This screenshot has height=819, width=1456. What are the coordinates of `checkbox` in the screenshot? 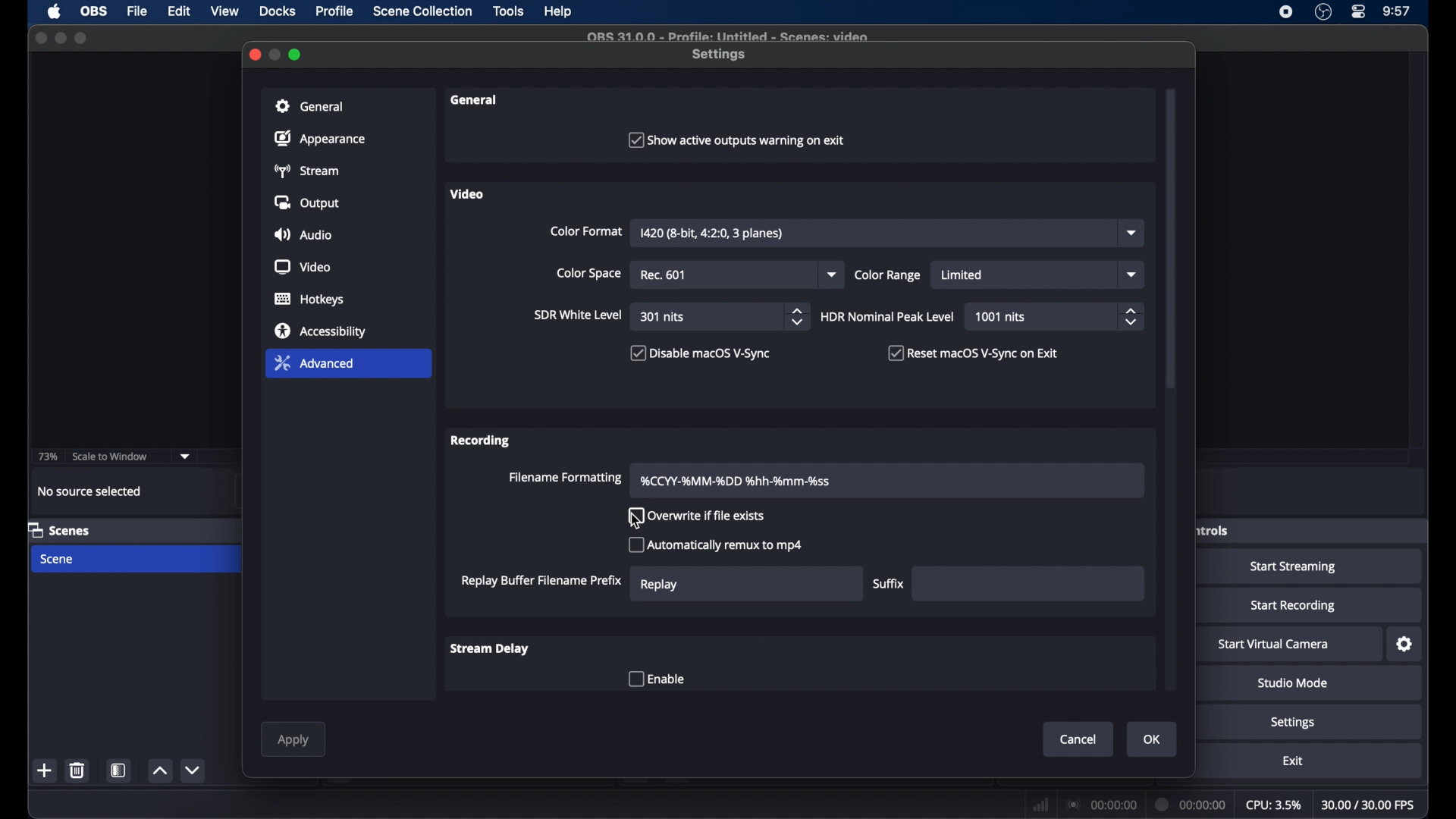 It's located at (700, 516).